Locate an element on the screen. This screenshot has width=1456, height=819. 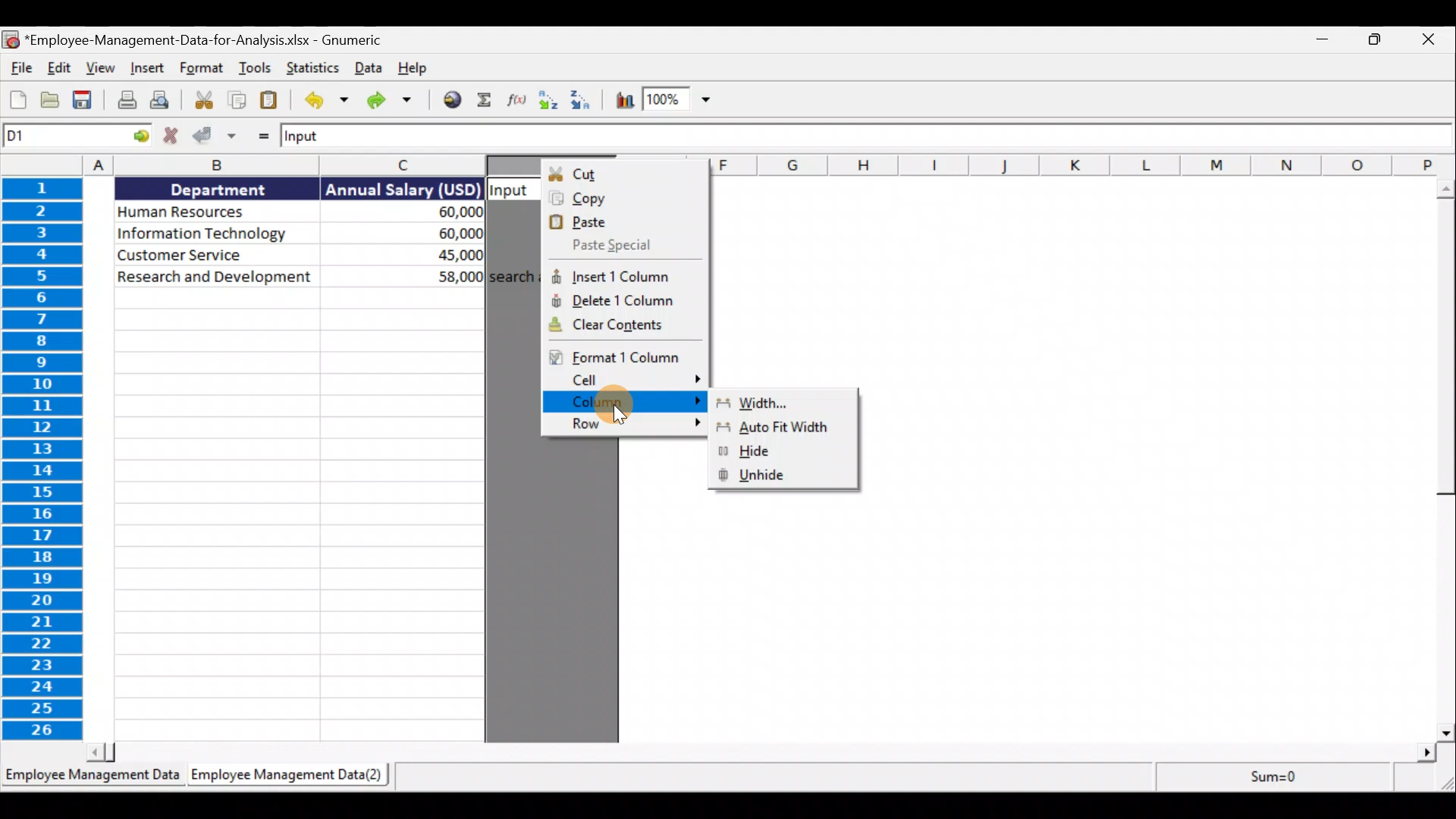
Statistics is located at coordinates (313, 67).